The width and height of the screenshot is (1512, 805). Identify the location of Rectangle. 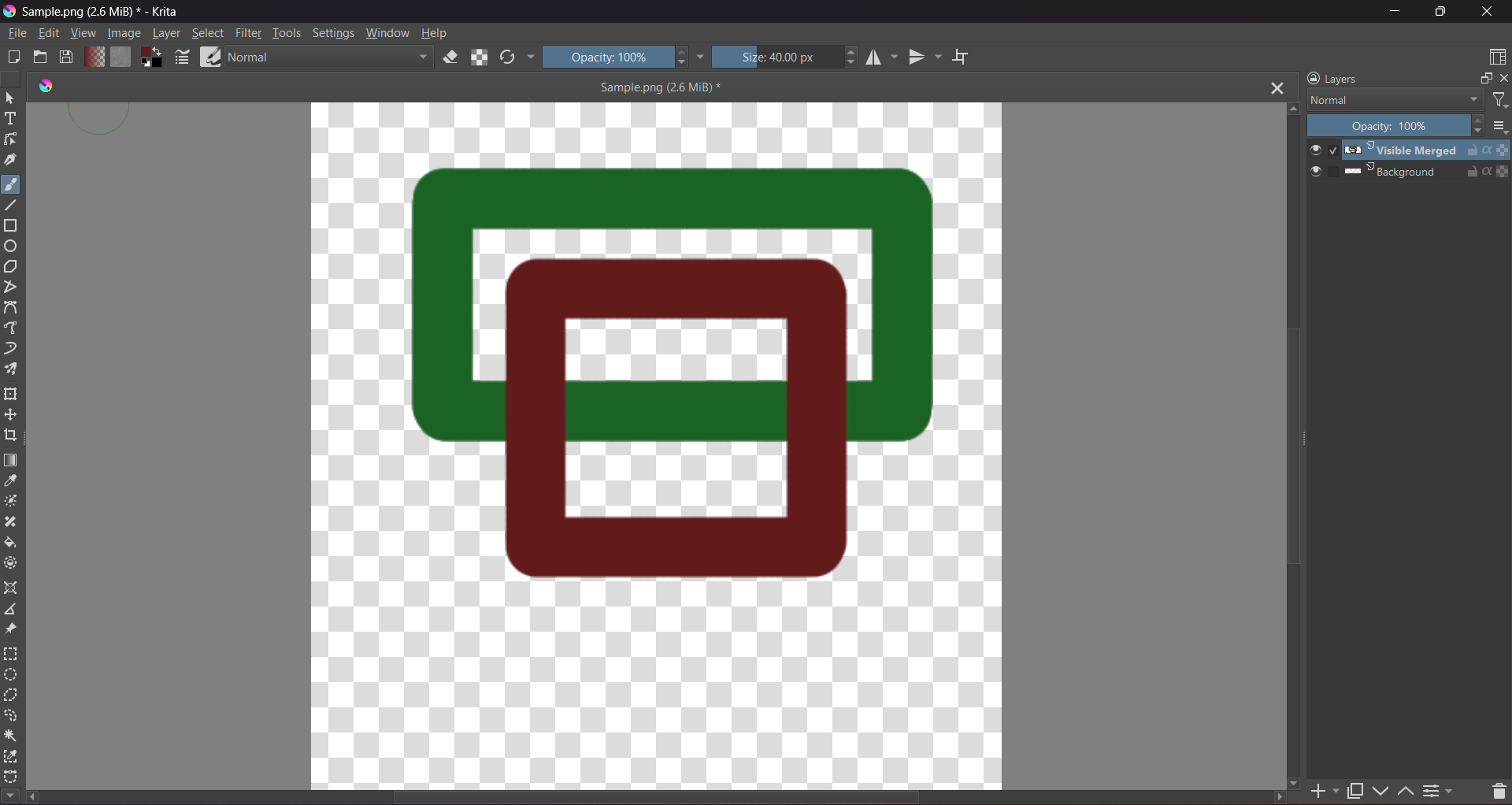
(13, 228).